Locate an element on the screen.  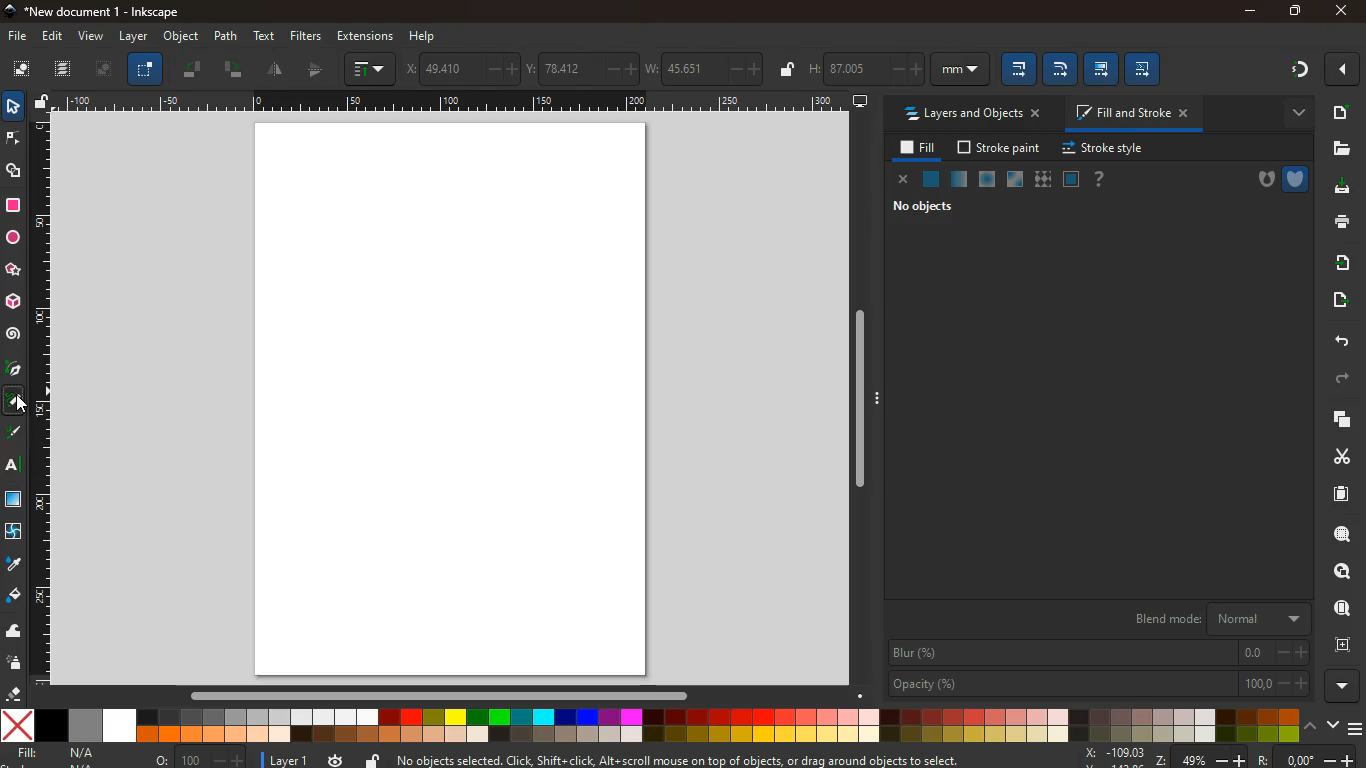
frame is located at coordinates (1344, 572).